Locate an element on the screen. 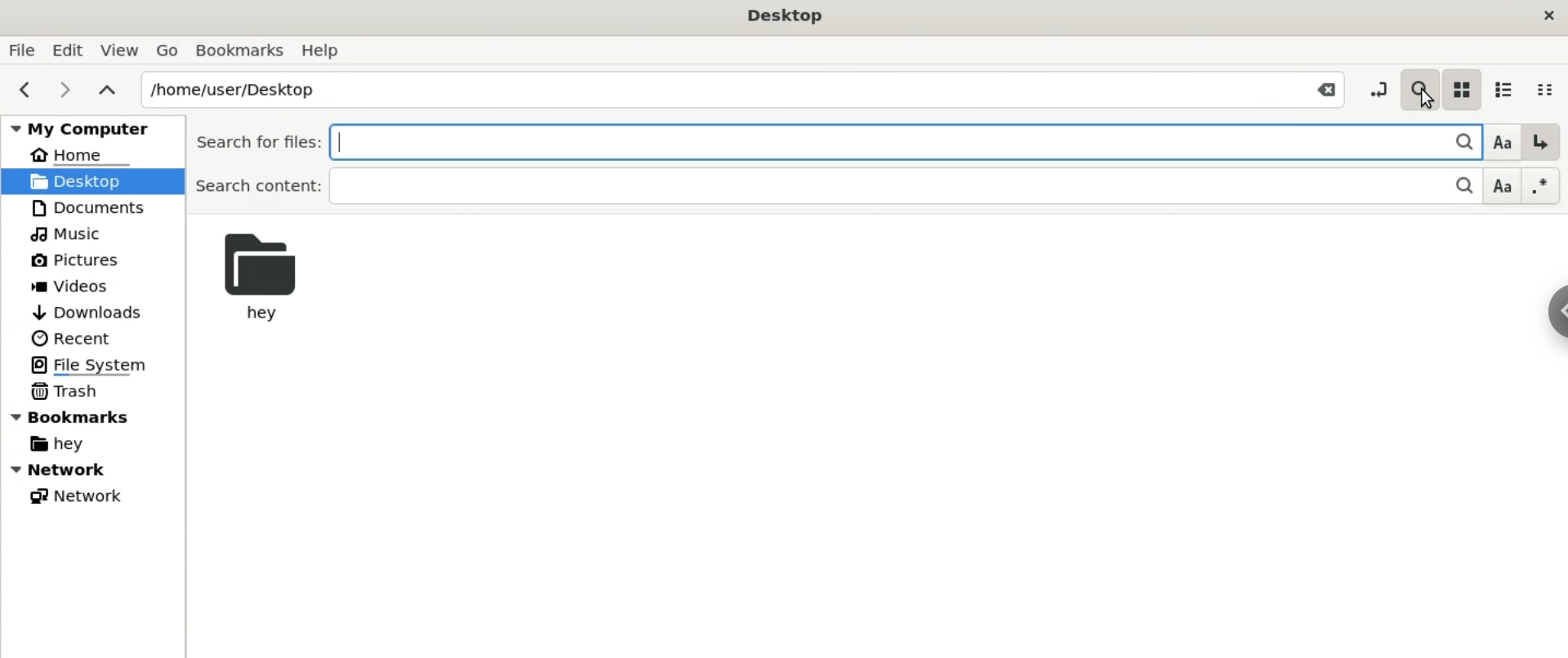 The height and width of the screenshot is (658, 1568). Search is located at coordinates (1457, 188).